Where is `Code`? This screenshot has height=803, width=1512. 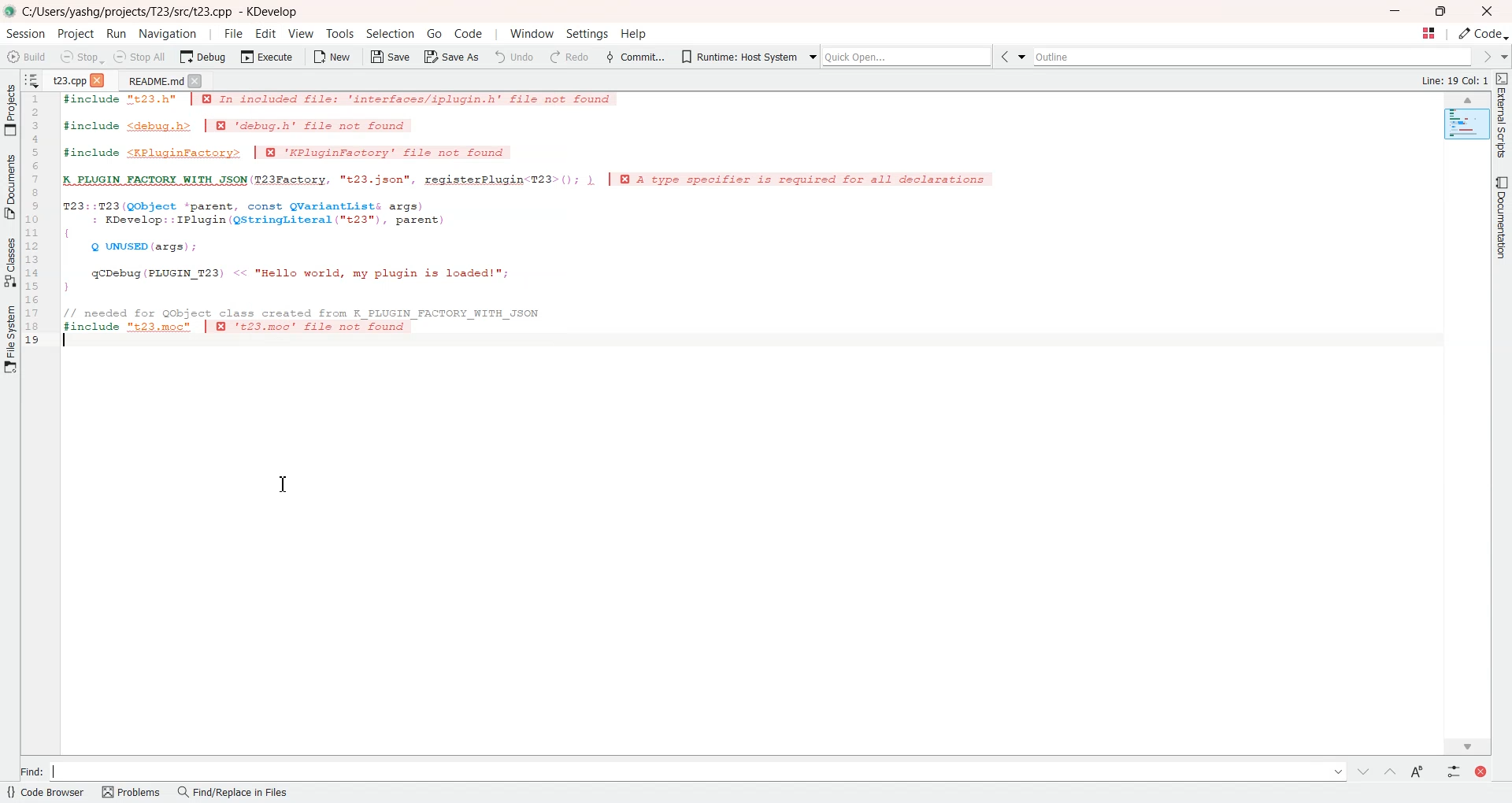
Code is located at coordinates (467, 33).